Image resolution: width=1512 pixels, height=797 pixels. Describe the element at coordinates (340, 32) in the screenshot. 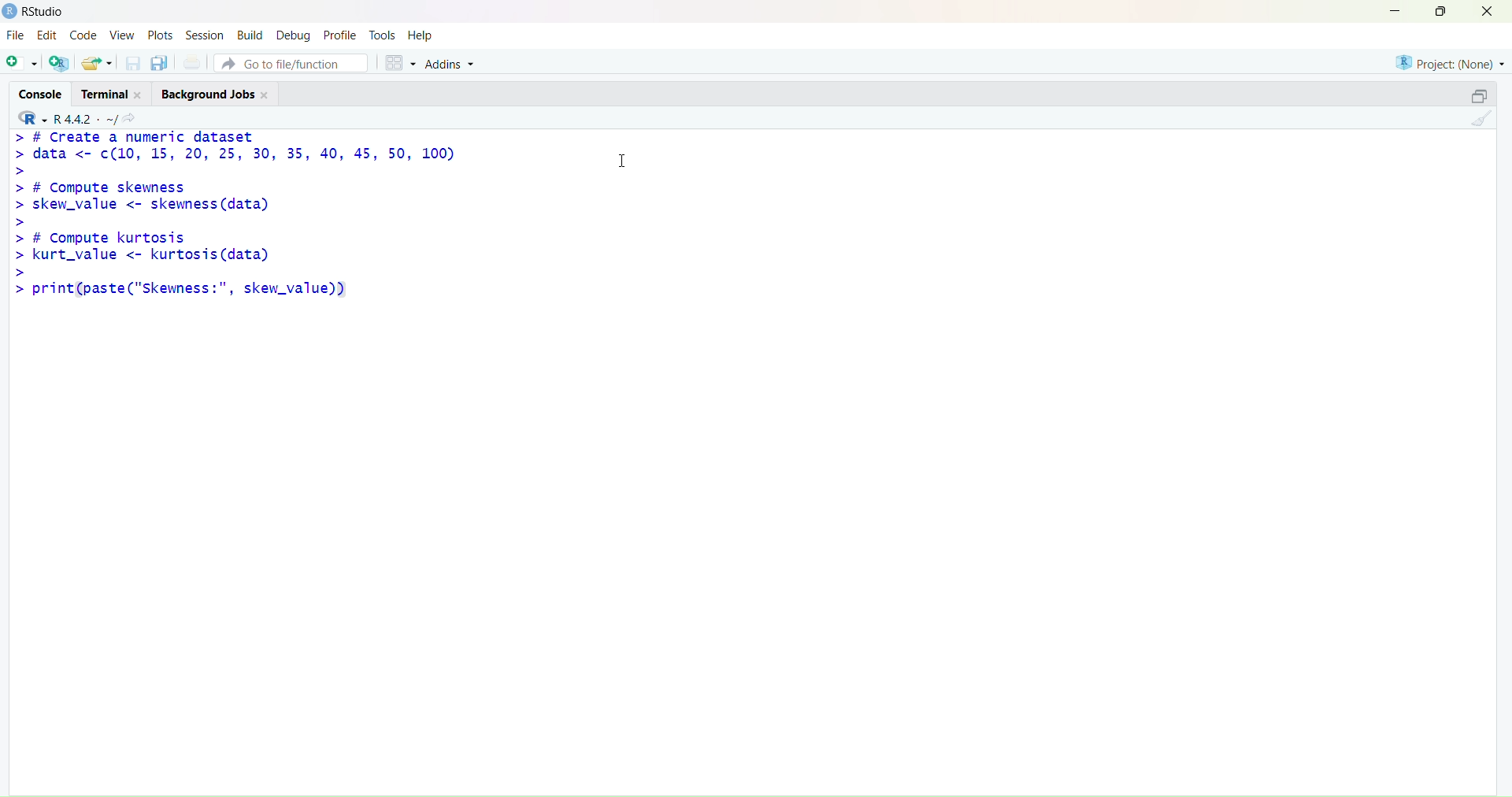

I see `Profile` at that location.